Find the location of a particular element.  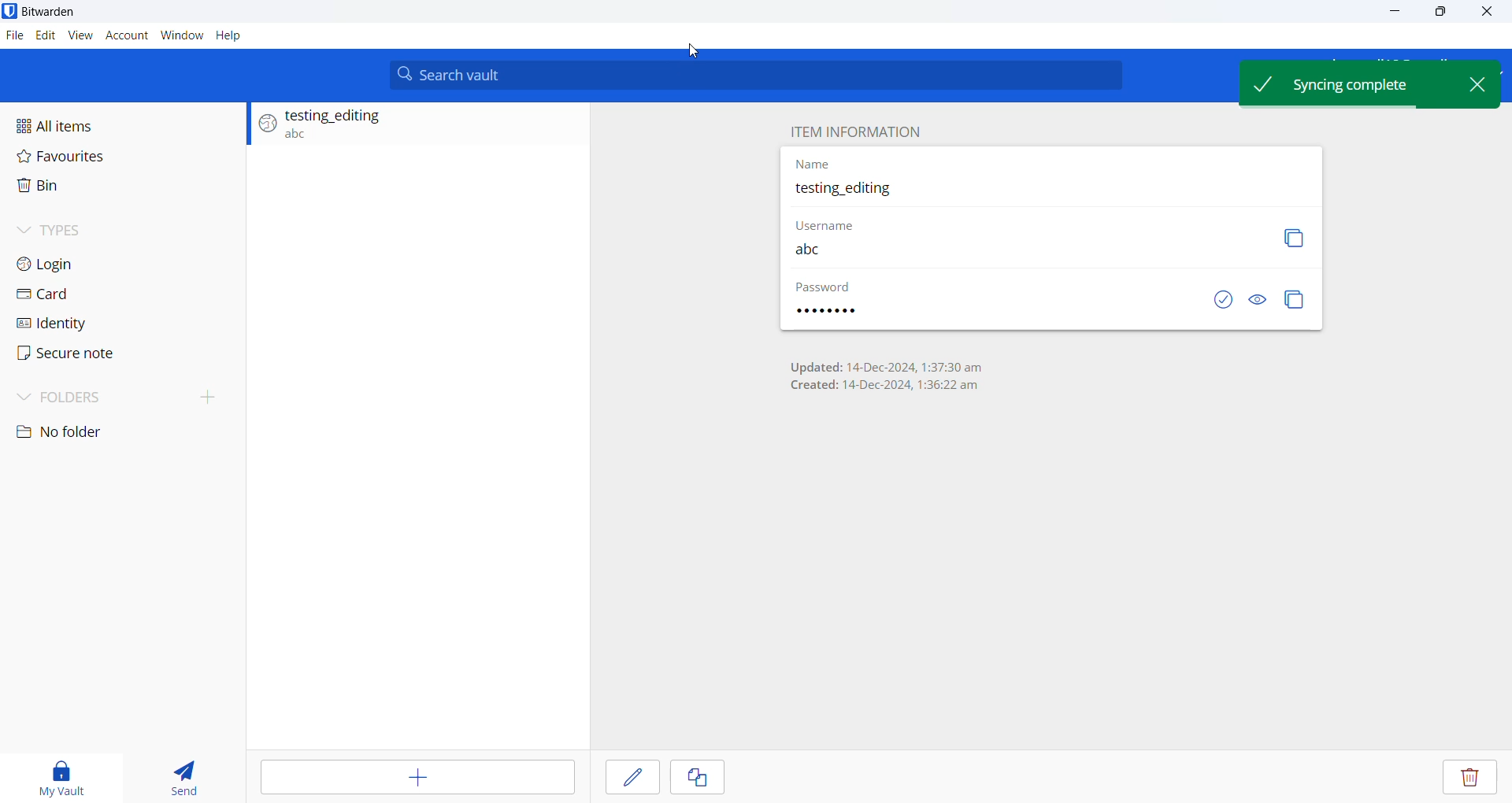

Delete is located at coordinates (1469, 779).